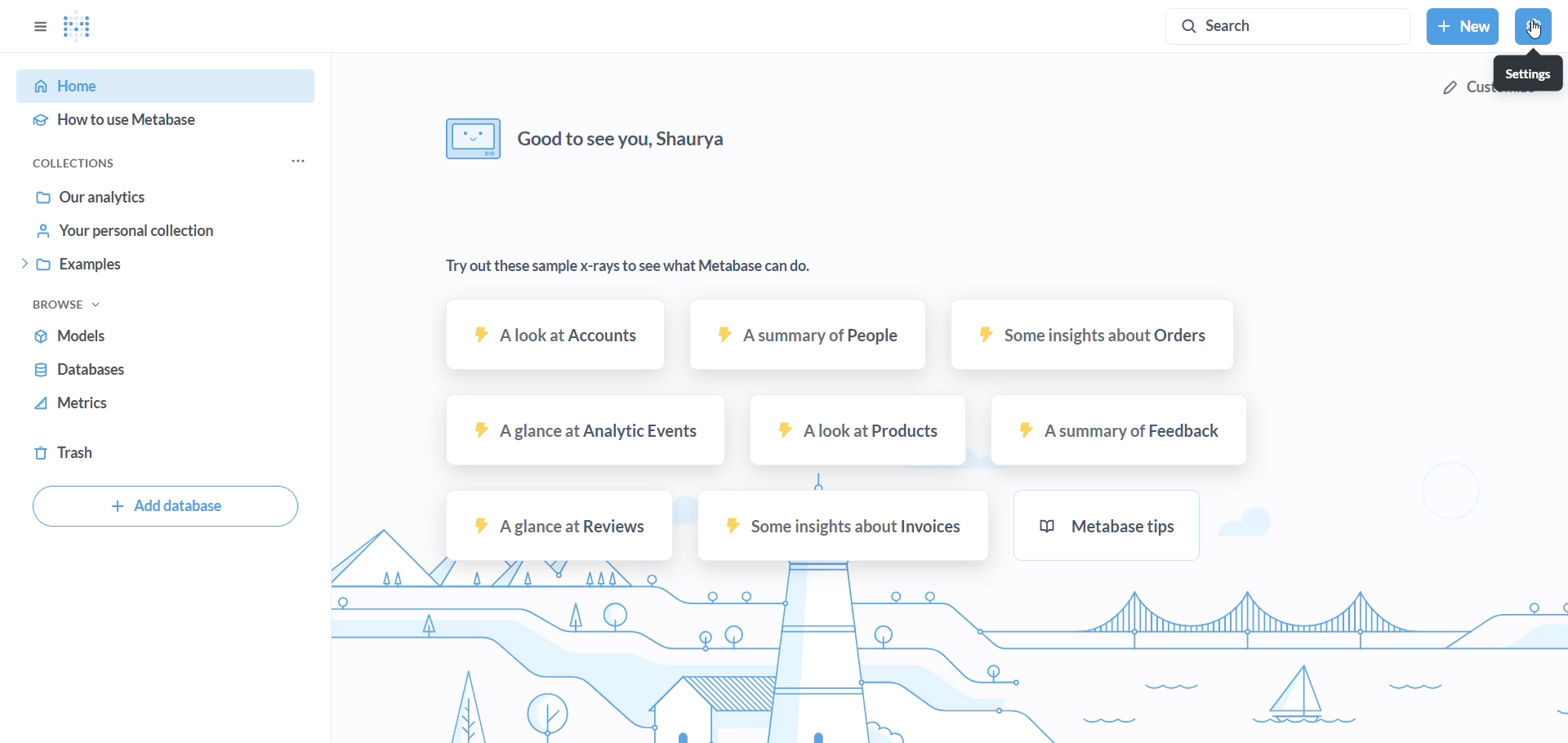 The width and height of the screenshot is (1568, 743). What do you see at coordinates (37, 27) in the screenshot?
I see `options` at bounding box center [37, 27].